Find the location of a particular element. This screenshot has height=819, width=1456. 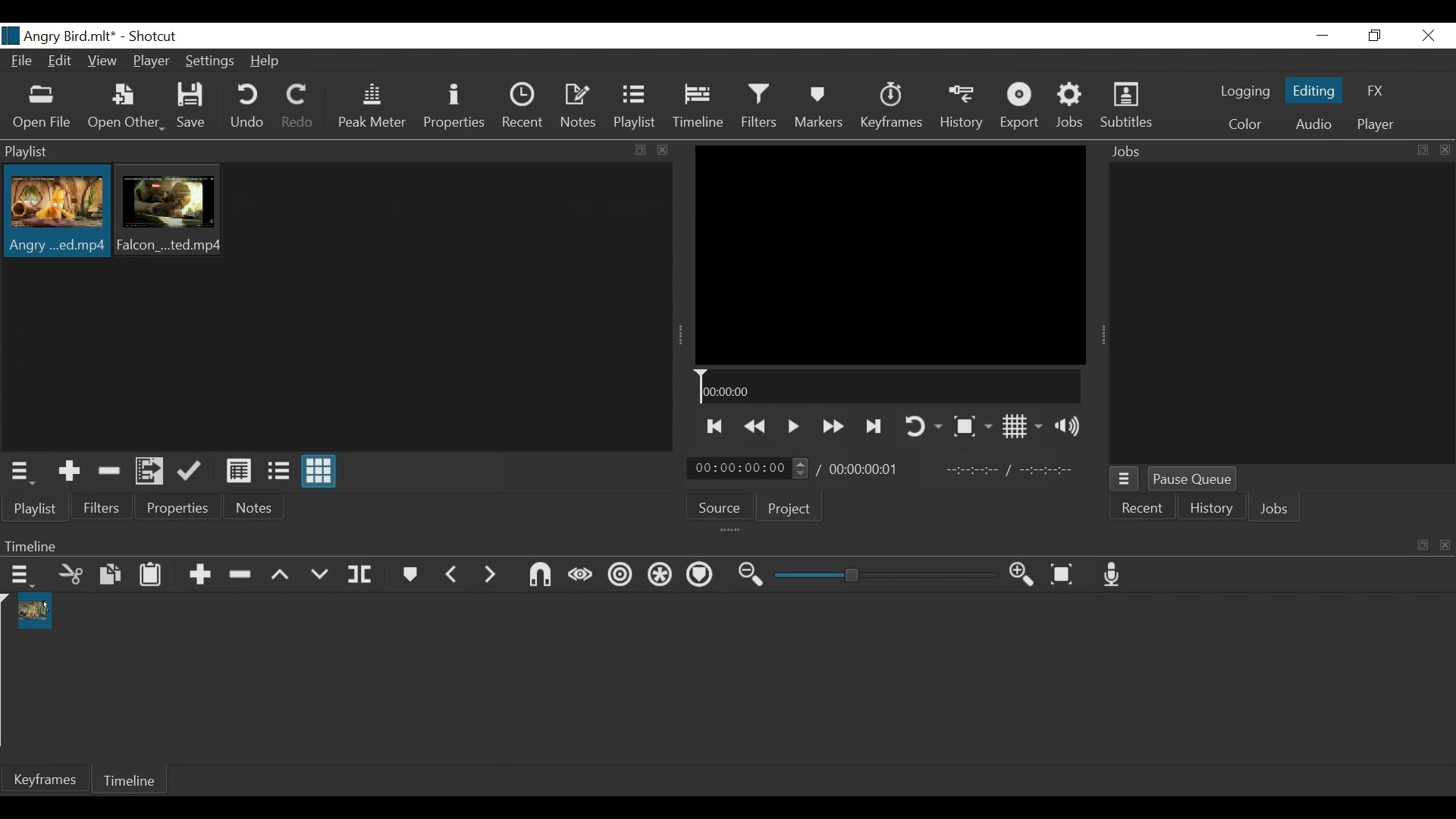

Toggle play or pause (space) is located at coordinates (792, 428).